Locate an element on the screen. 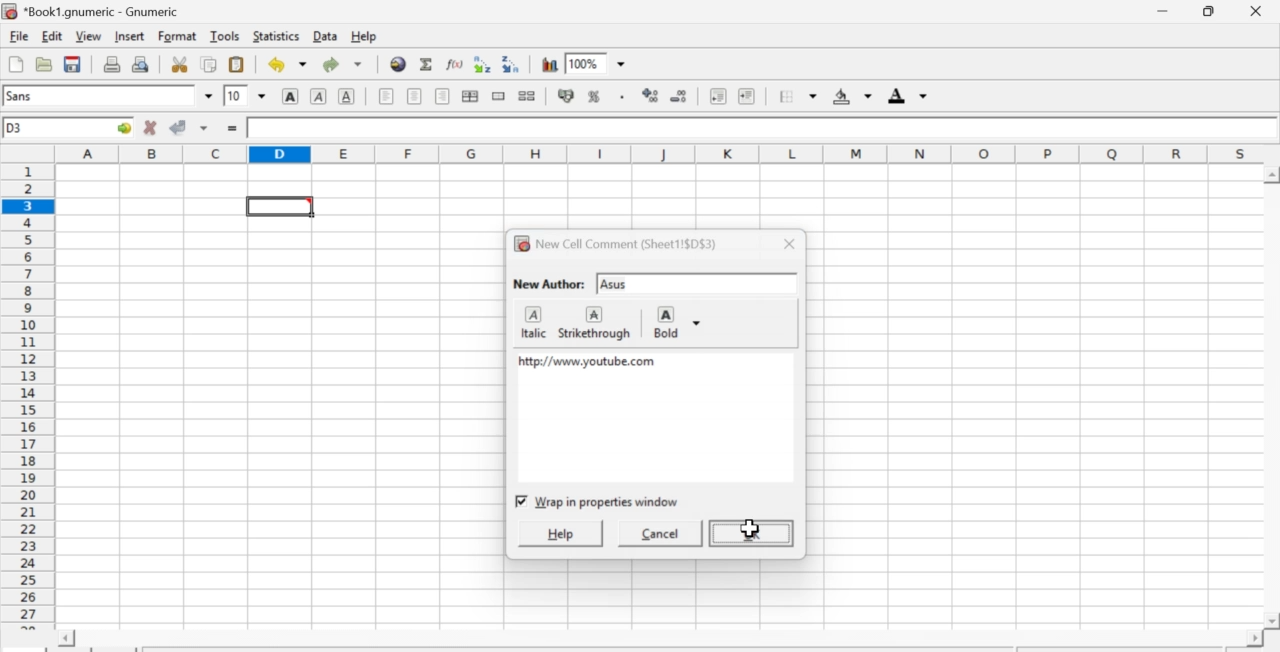  New Author: is located at coordinates (549, 284).